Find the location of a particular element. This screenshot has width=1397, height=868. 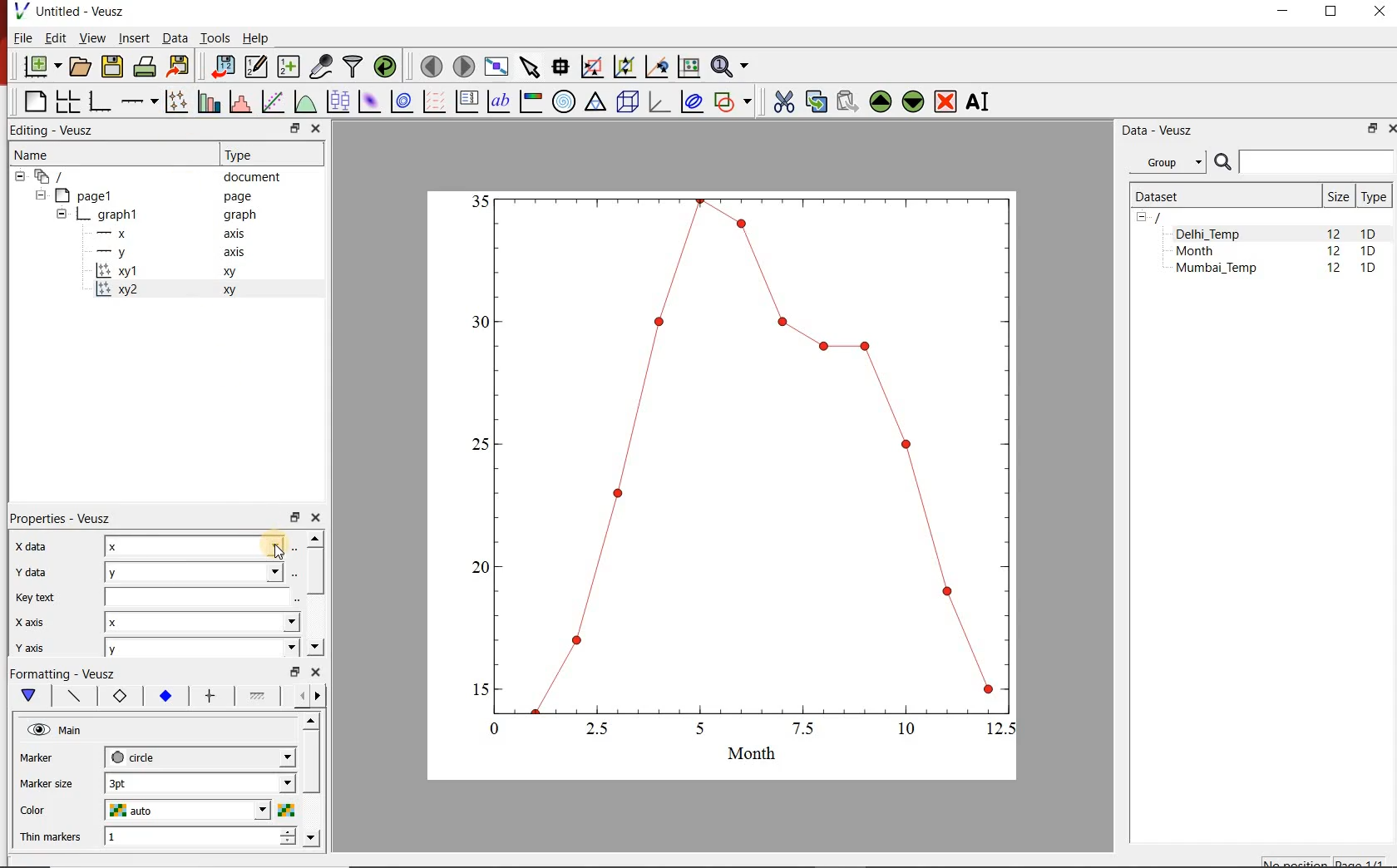

move the selected widget up is located at coordinates (880, 101).